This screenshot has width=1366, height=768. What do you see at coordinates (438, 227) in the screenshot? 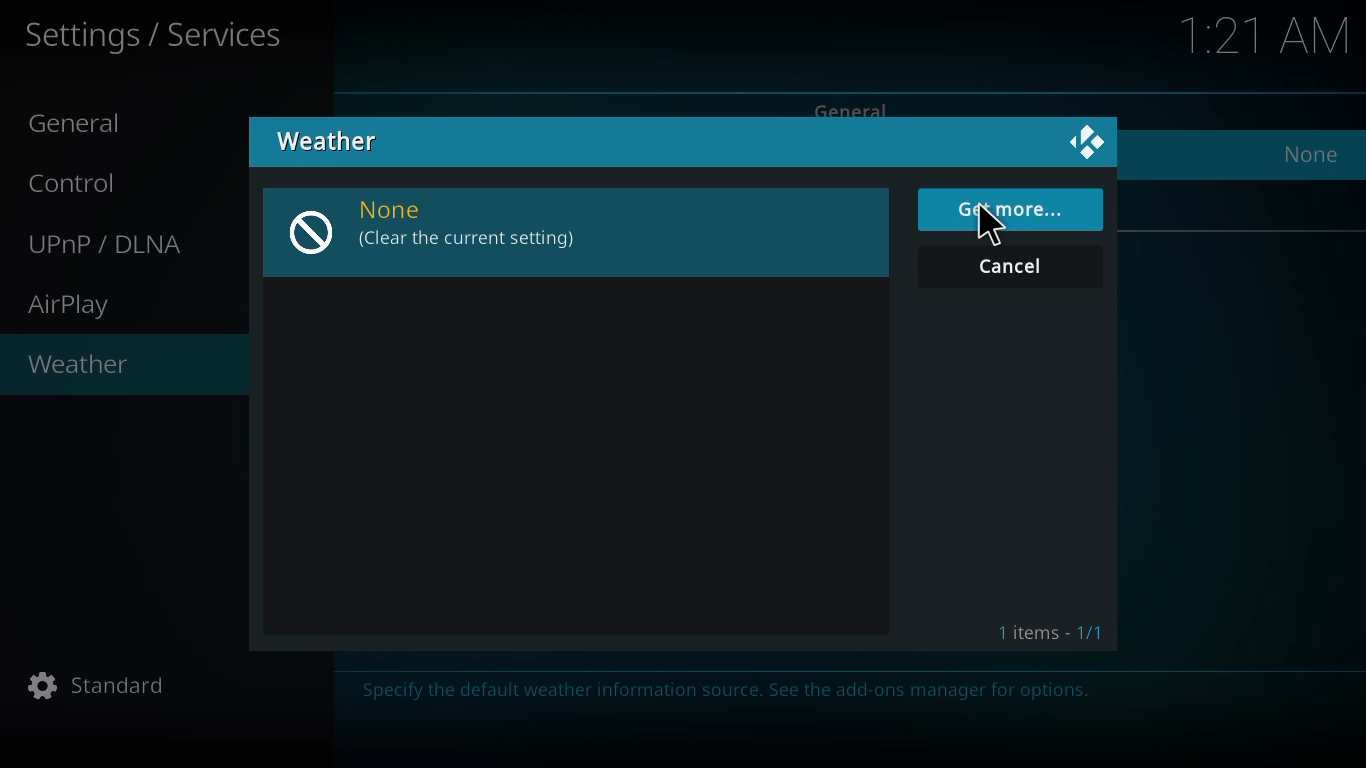
I see `none` at bounding box center [438, 227].